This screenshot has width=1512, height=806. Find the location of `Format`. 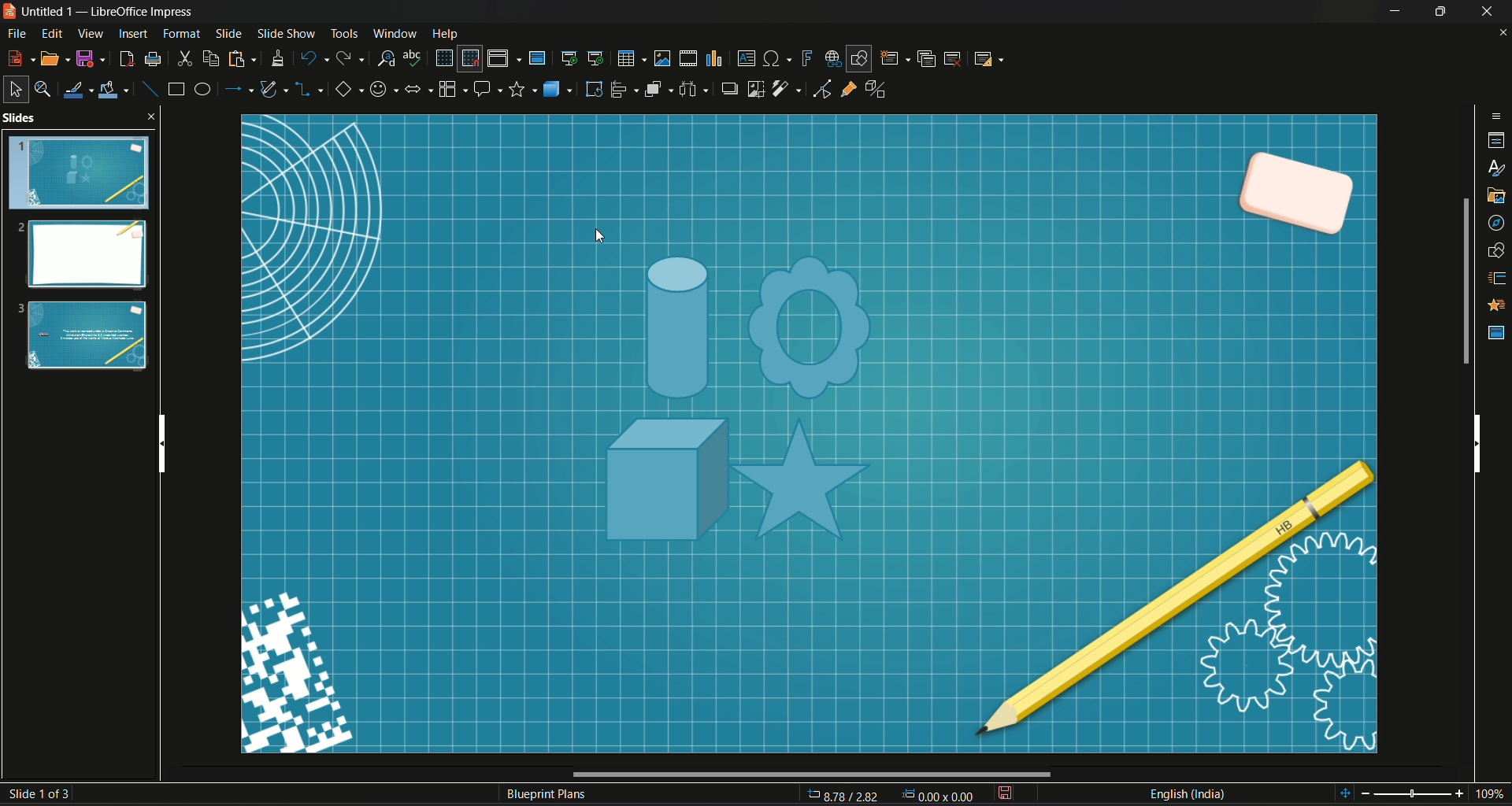

Format is located at coordinates (182, 34).